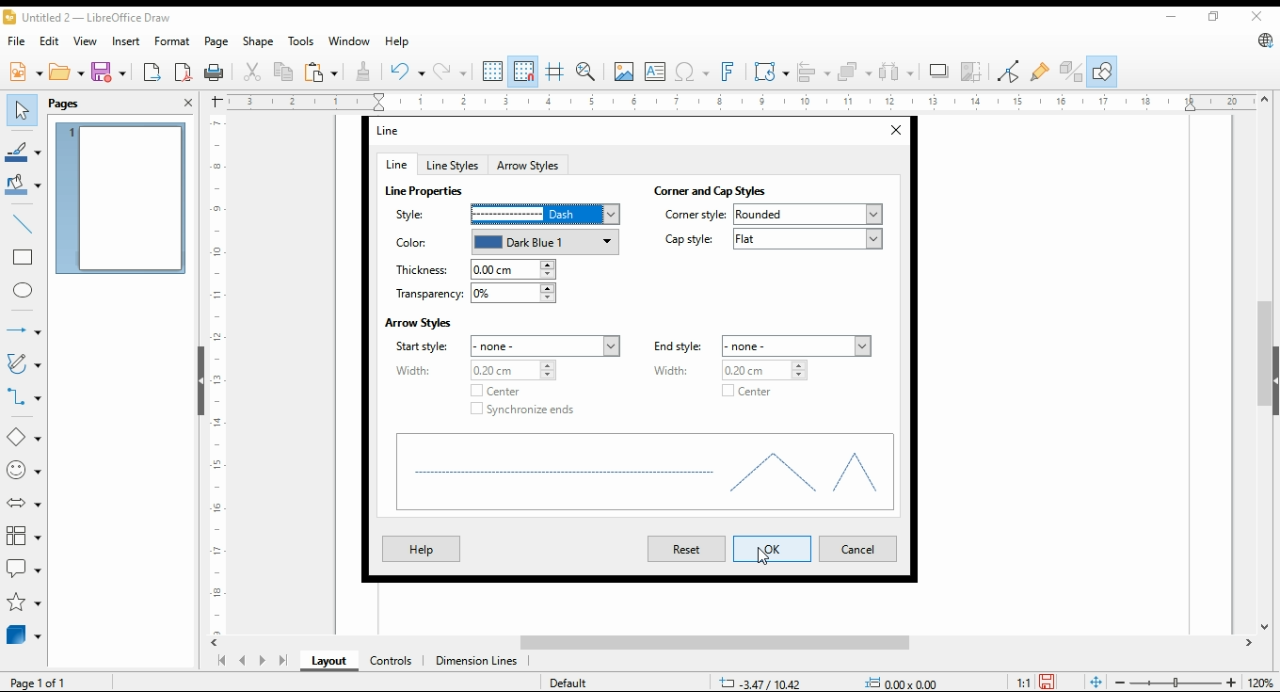  Describe the element at coordinates (330, 661) in the screenshot. I see `layout` at that location.